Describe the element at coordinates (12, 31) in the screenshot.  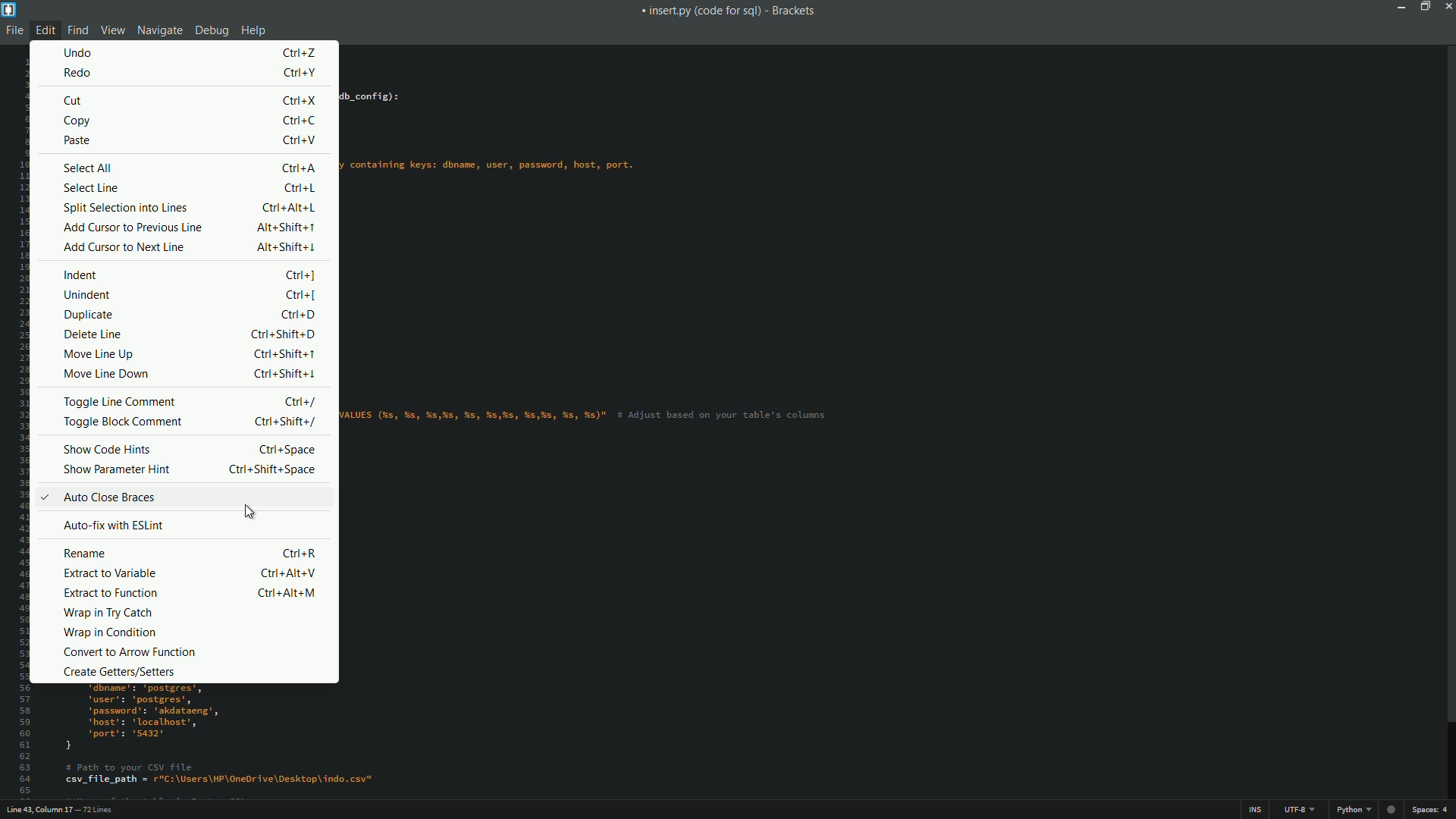
I see `file menu` at that location.